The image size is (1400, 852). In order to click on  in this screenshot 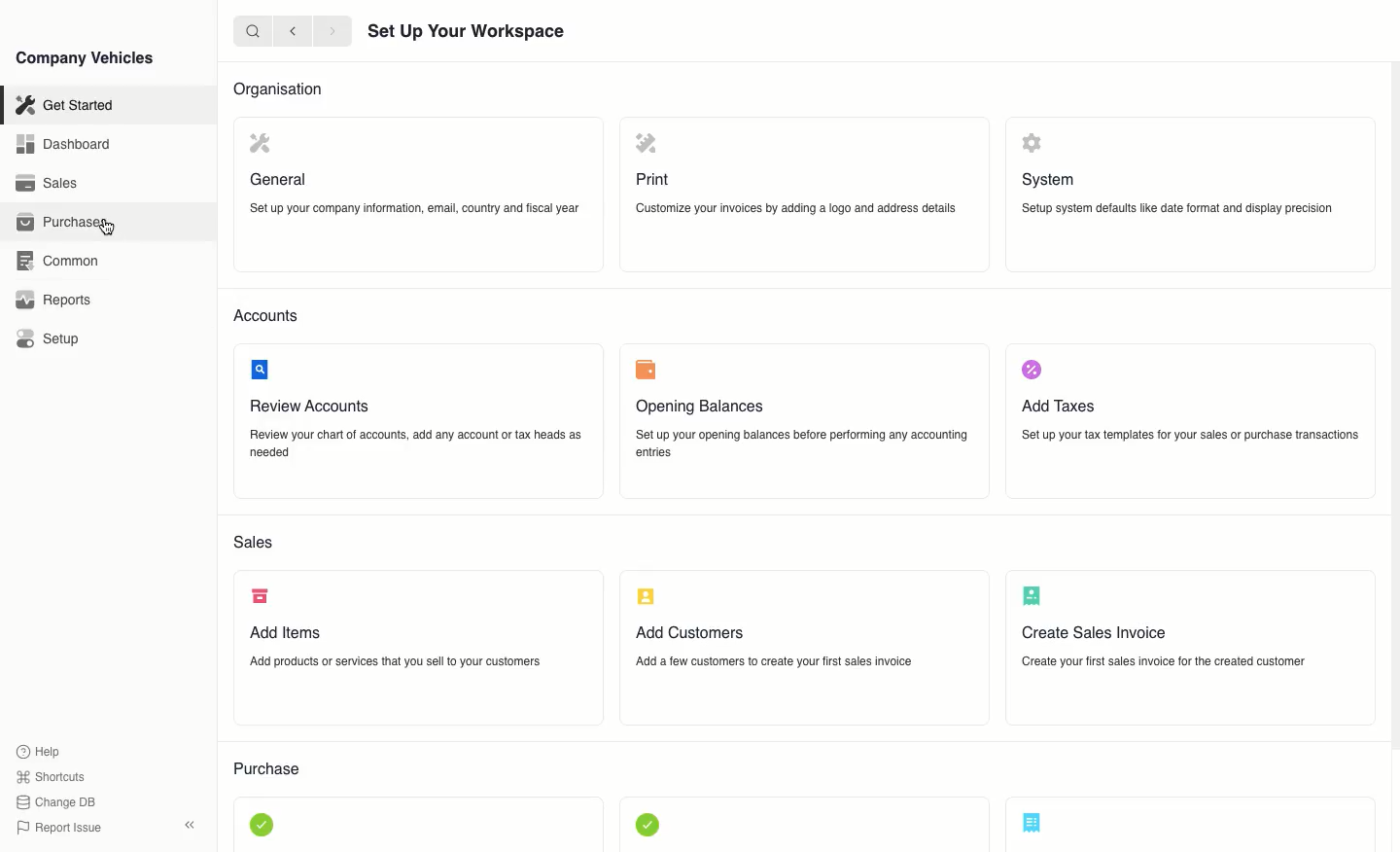, I will do `click(644, 370)`.